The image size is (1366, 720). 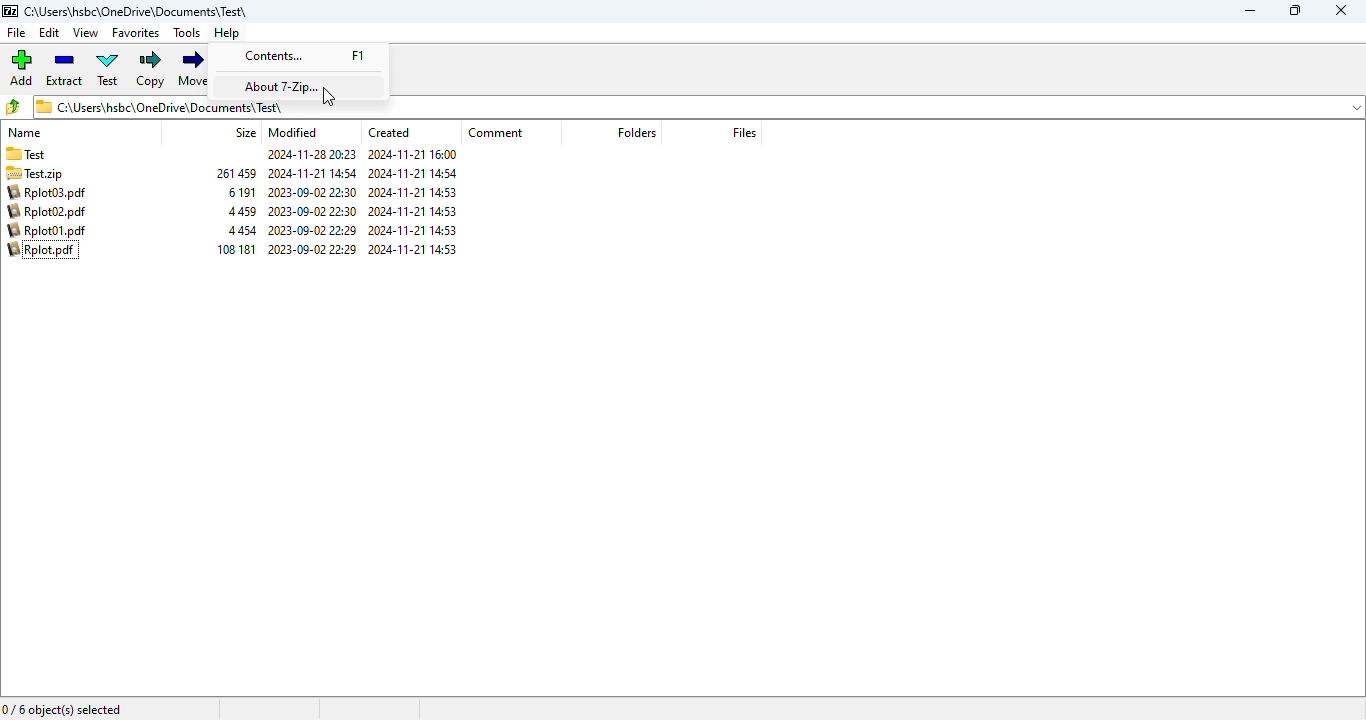 I want to click on C:\Users\hsbc\OneDrive\Documents\Test\, so click(x=135, y=12).